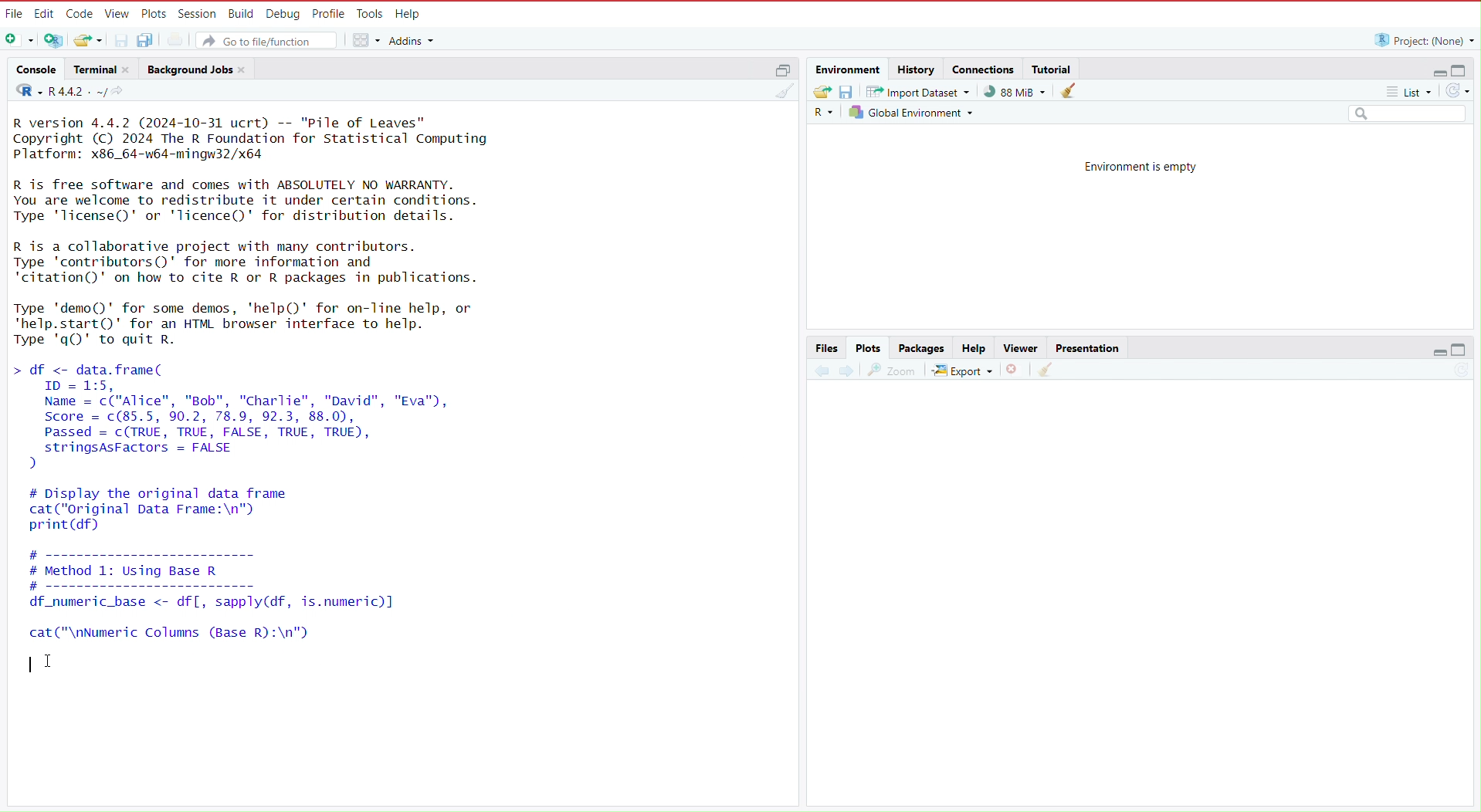 The image size is (1481, 812). What do you see at coordinates (1462, 91) in the screenshot?
I see `refresh the list of objects in the environment` at bounding box center [1462, 91].